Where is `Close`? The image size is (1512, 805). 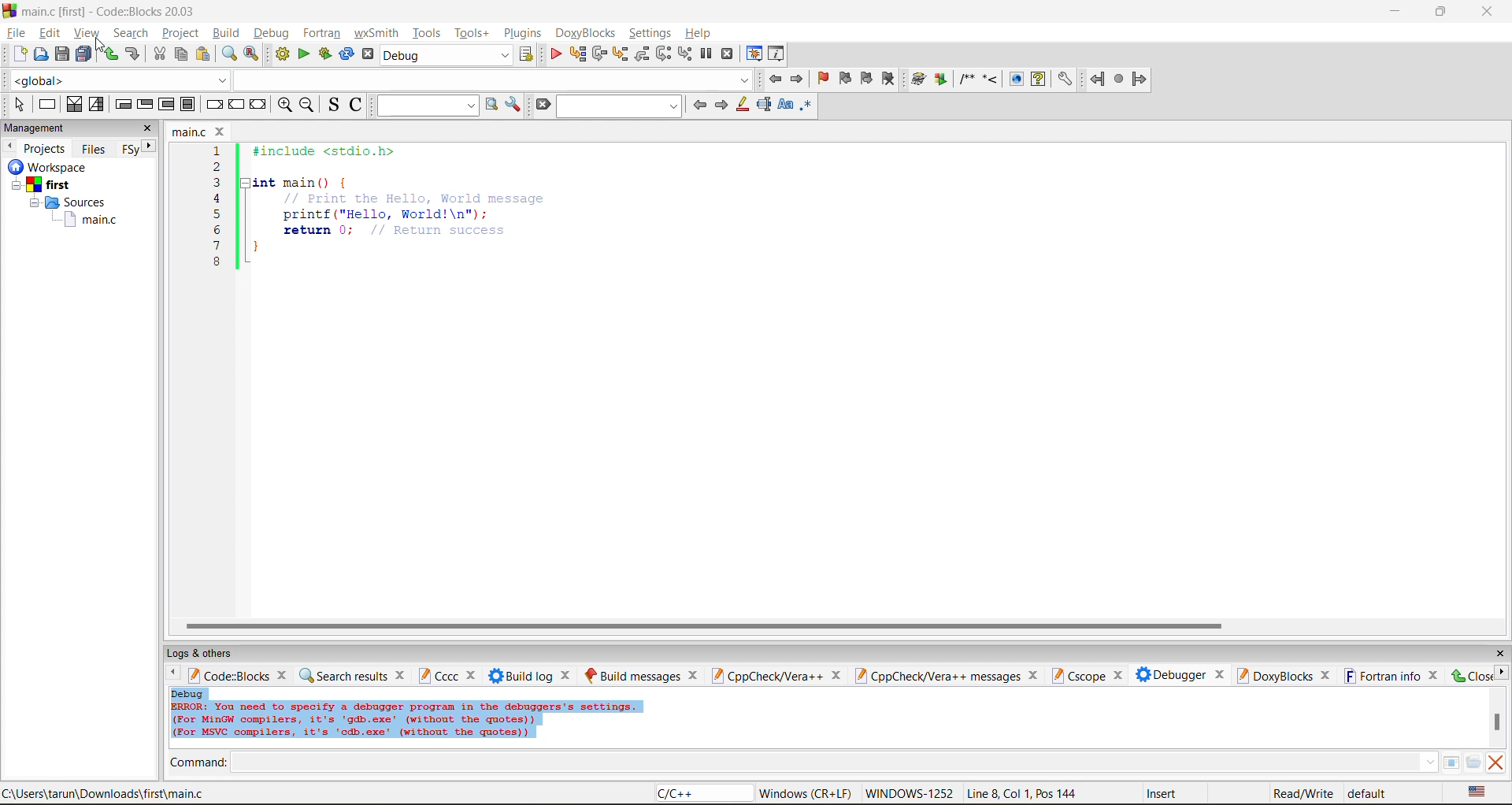 Close is located at coordinates (1478, 677).